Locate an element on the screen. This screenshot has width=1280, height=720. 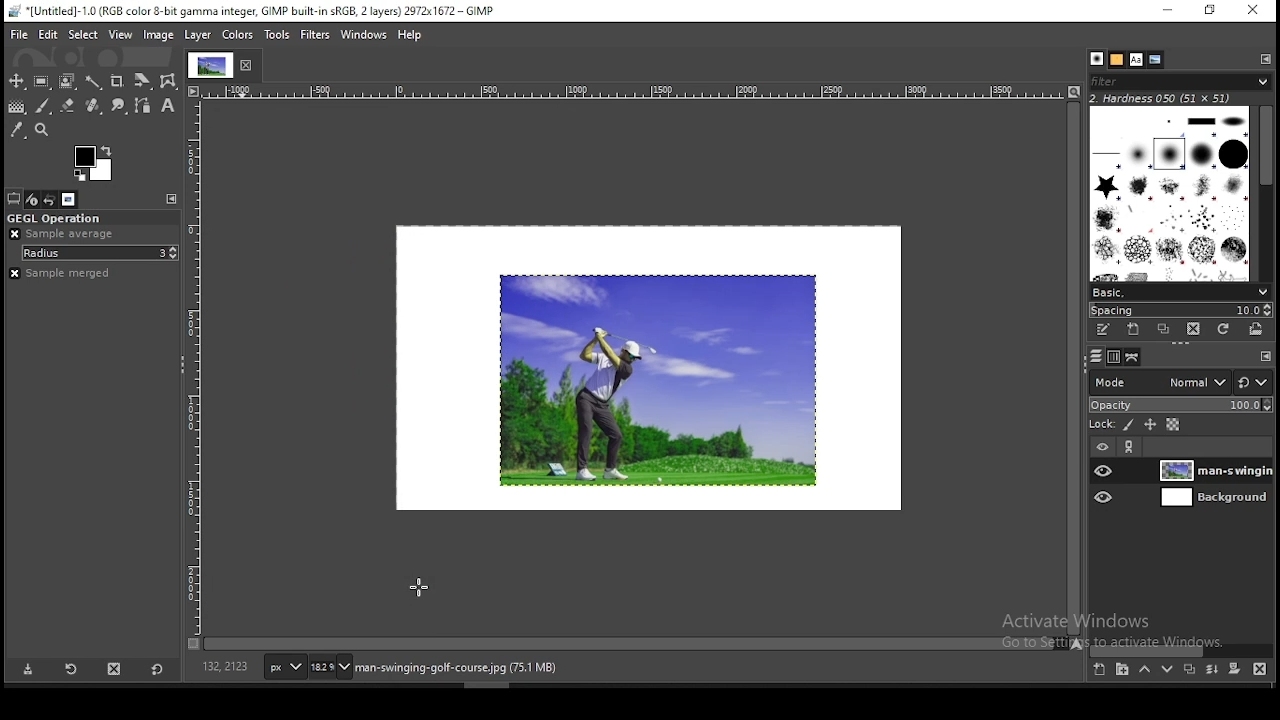
brushes is located at coordinates (1169, 194).